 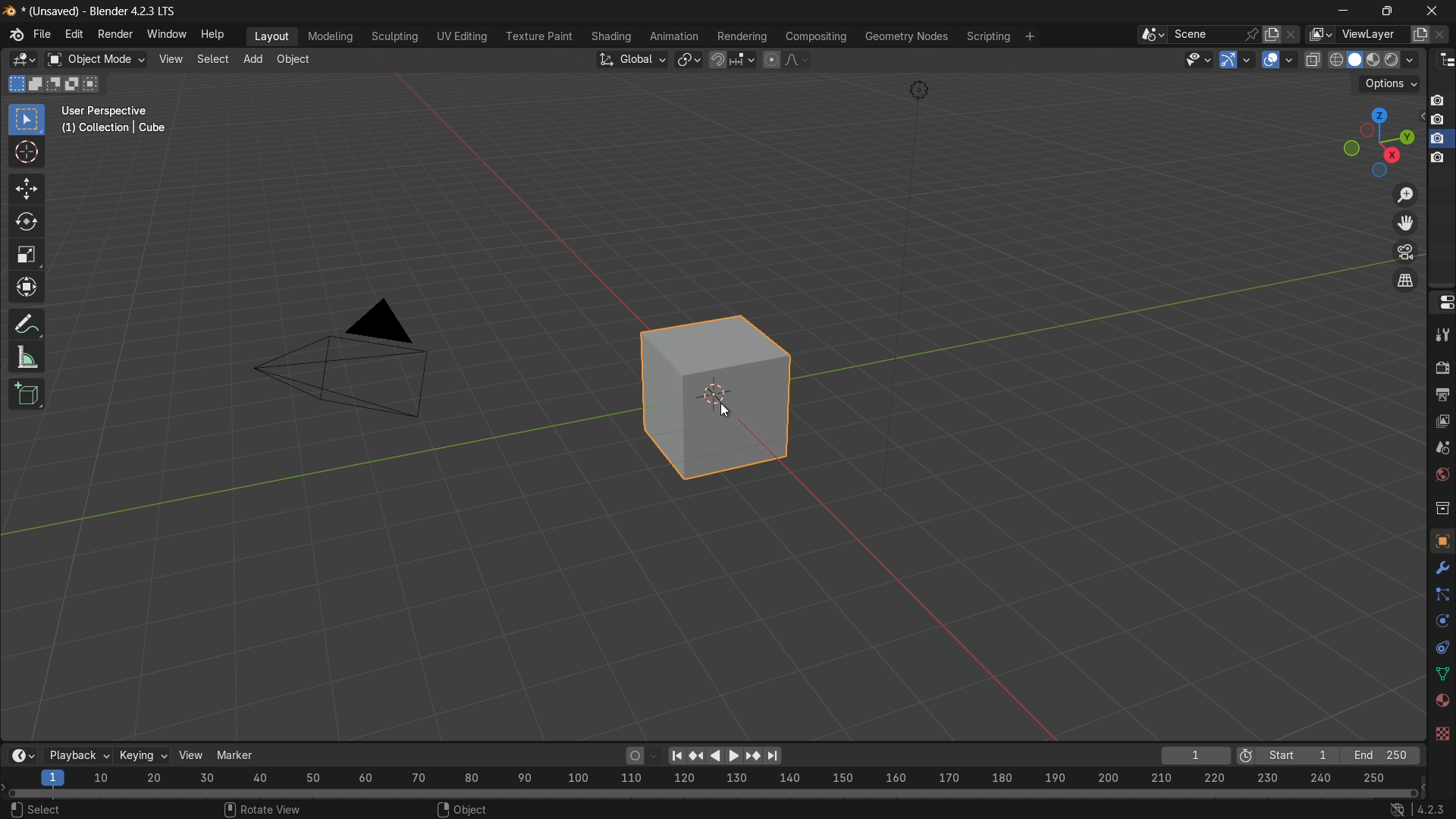 What do you see at coordinates (1445, 33) in the screenshot?
I see `remove view layer` at bounding box center [1445, 33].